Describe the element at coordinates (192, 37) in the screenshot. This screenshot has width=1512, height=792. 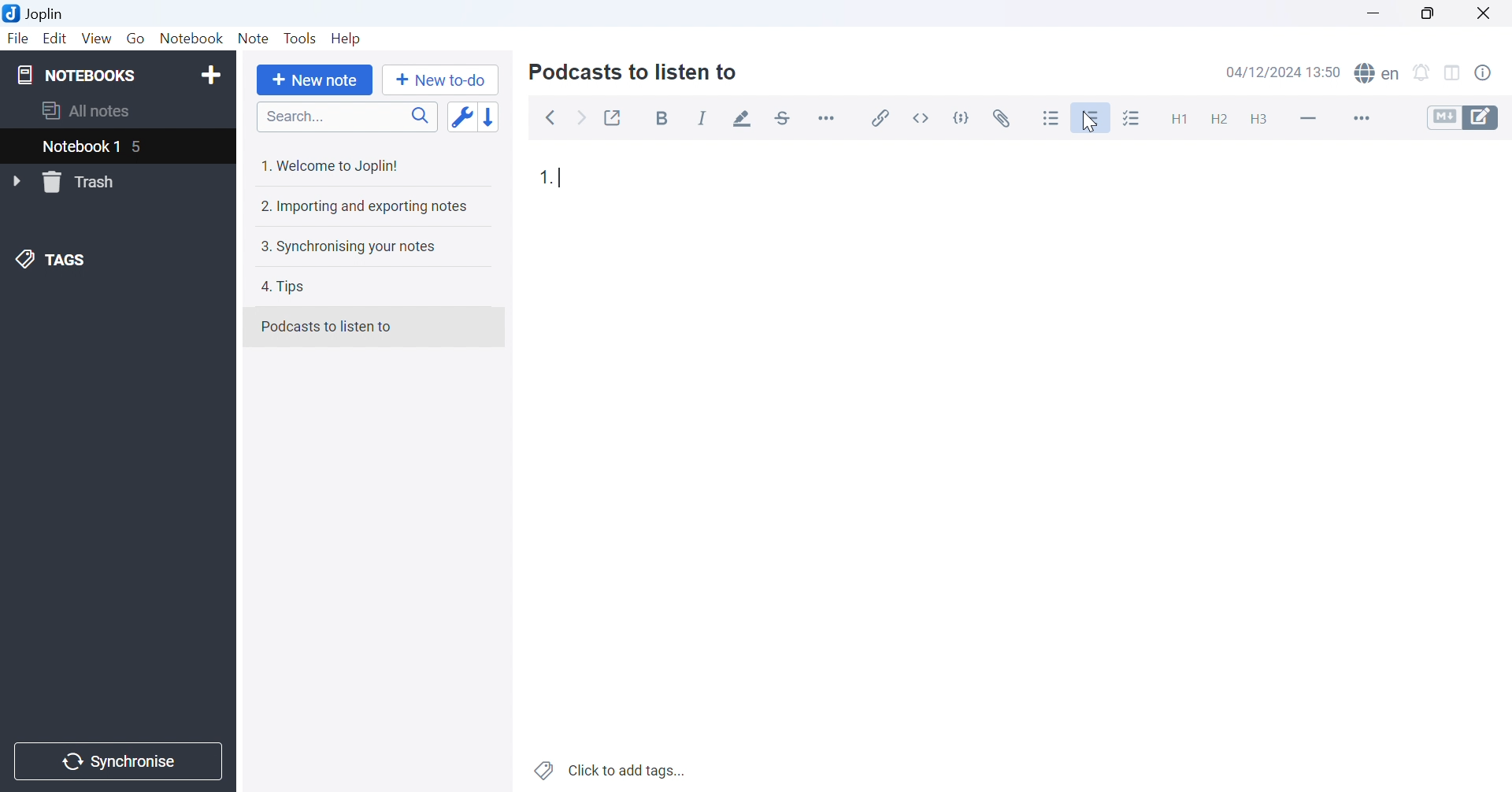
I see `Notebook` at that location.